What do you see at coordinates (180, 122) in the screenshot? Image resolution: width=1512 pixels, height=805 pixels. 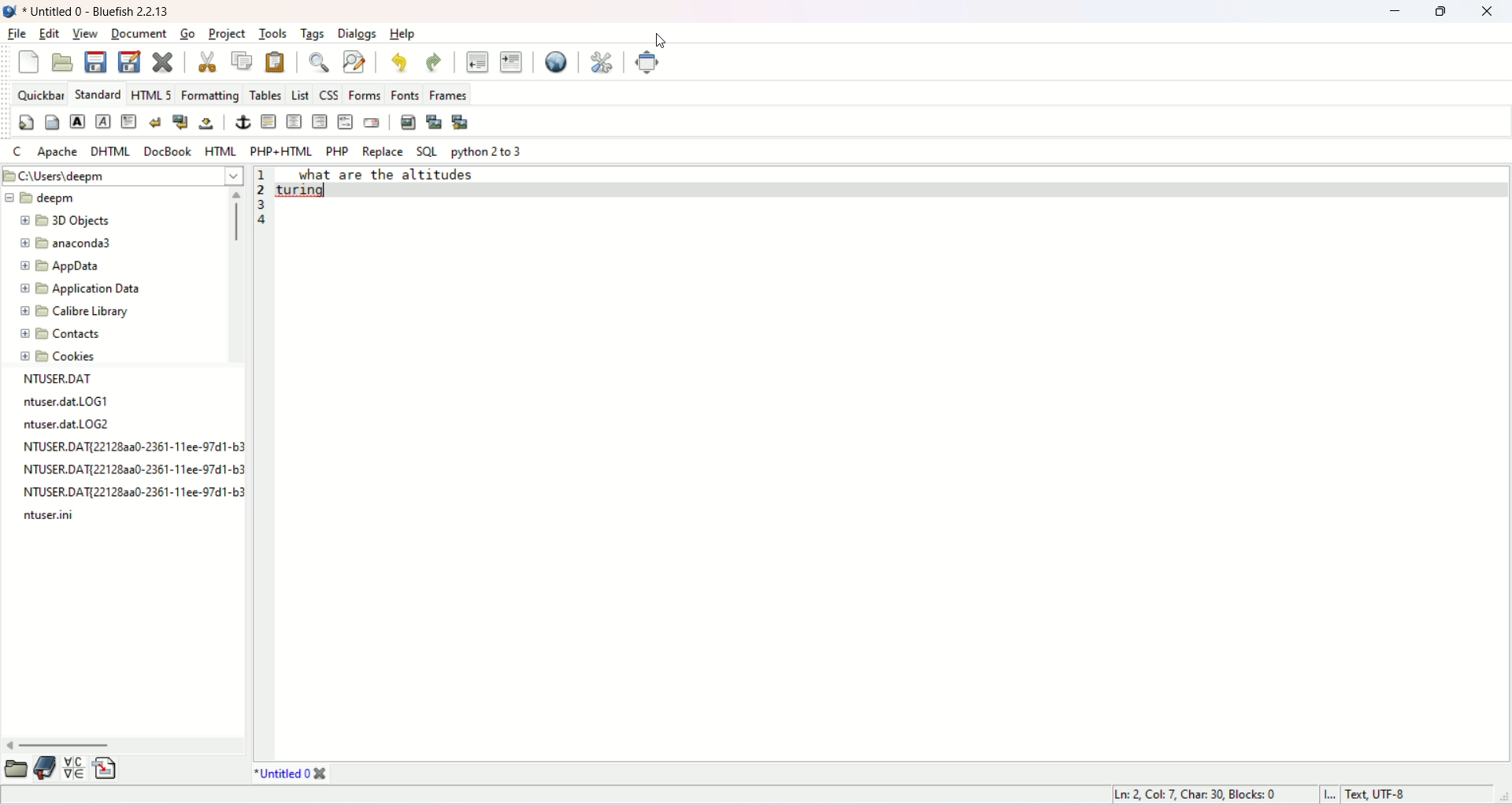 I see `break and clear` at bounding box center [180, 122].